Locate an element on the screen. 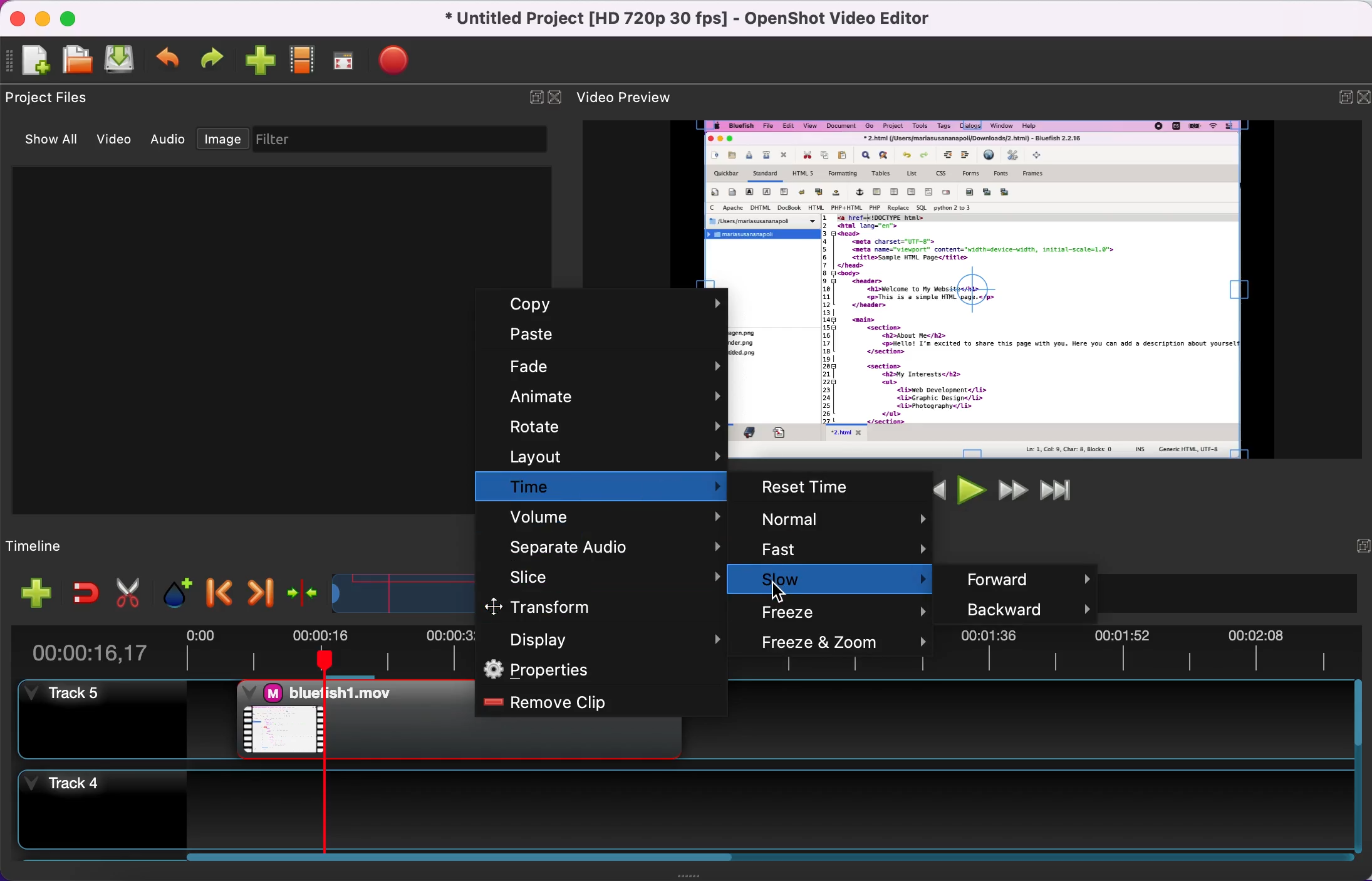  play is located at coordinates (969, 489).